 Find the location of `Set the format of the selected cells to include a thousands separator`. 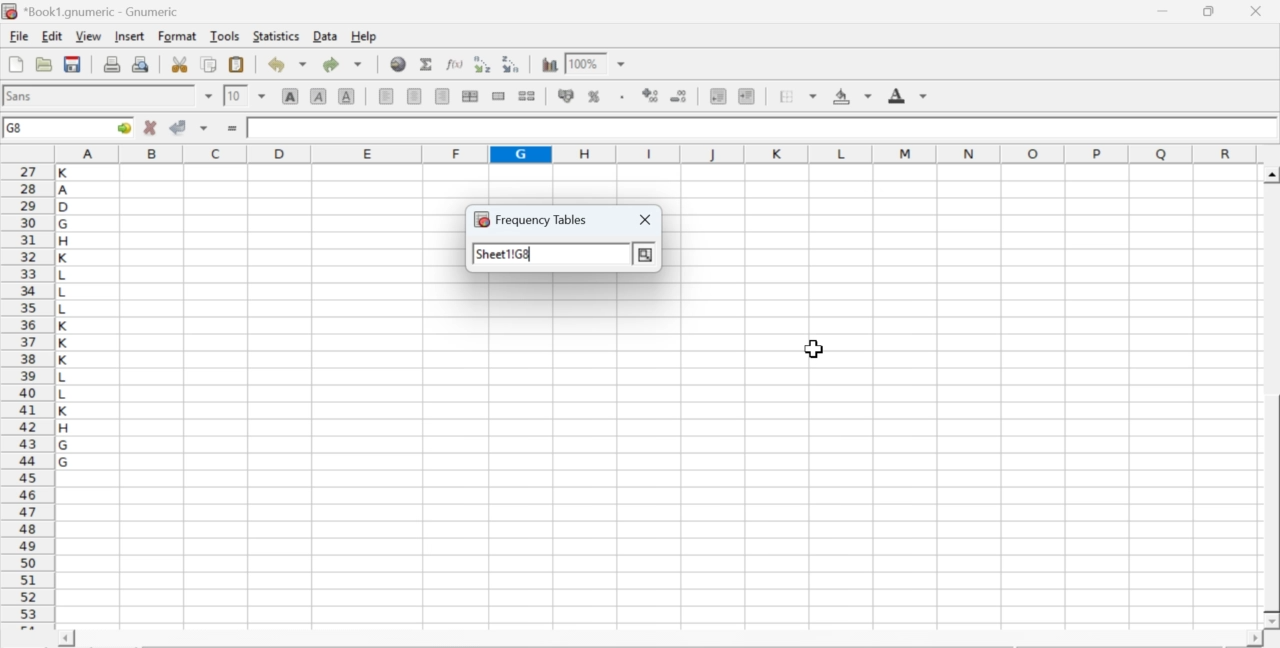

Set the format of the selected cells to include a thousands separator is located at coordinates (620, 97).